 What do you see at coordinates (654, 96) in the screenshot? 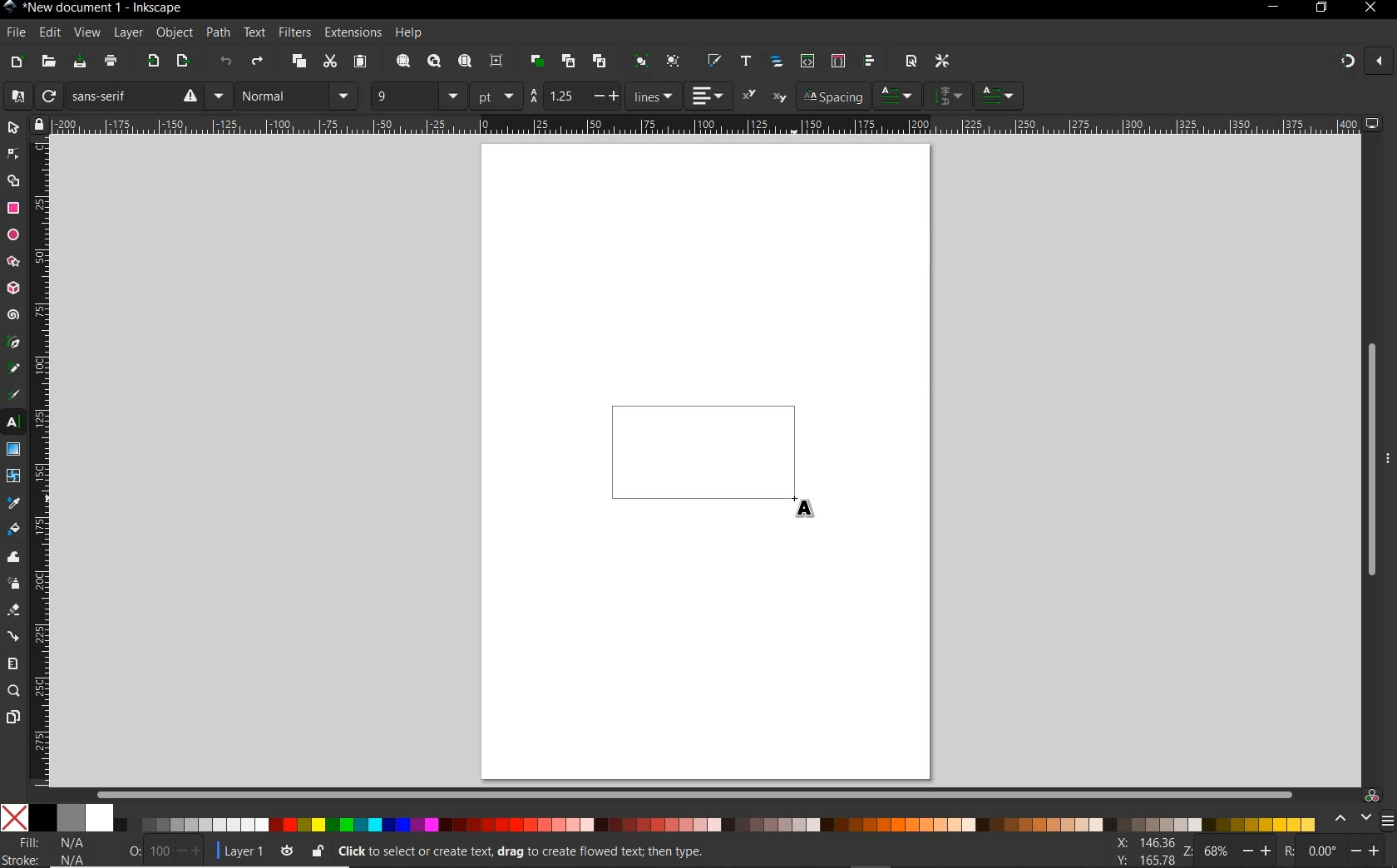
I see `lines` at bounding box center [654, 96].